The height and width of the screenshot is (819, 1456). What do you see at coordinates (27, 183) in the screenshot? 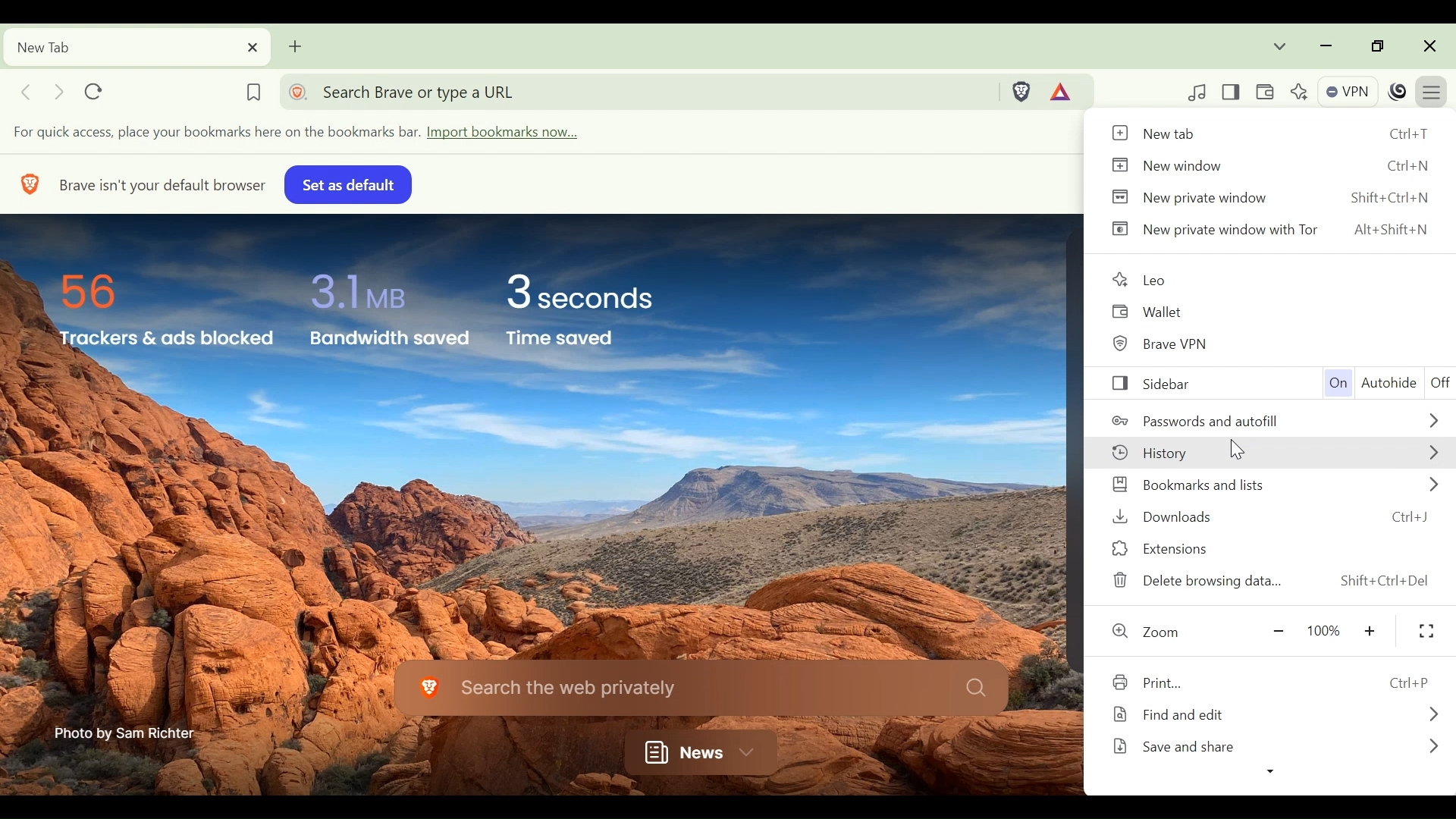
I see `BRAVE LOGO` at bounding box center [27, 183].